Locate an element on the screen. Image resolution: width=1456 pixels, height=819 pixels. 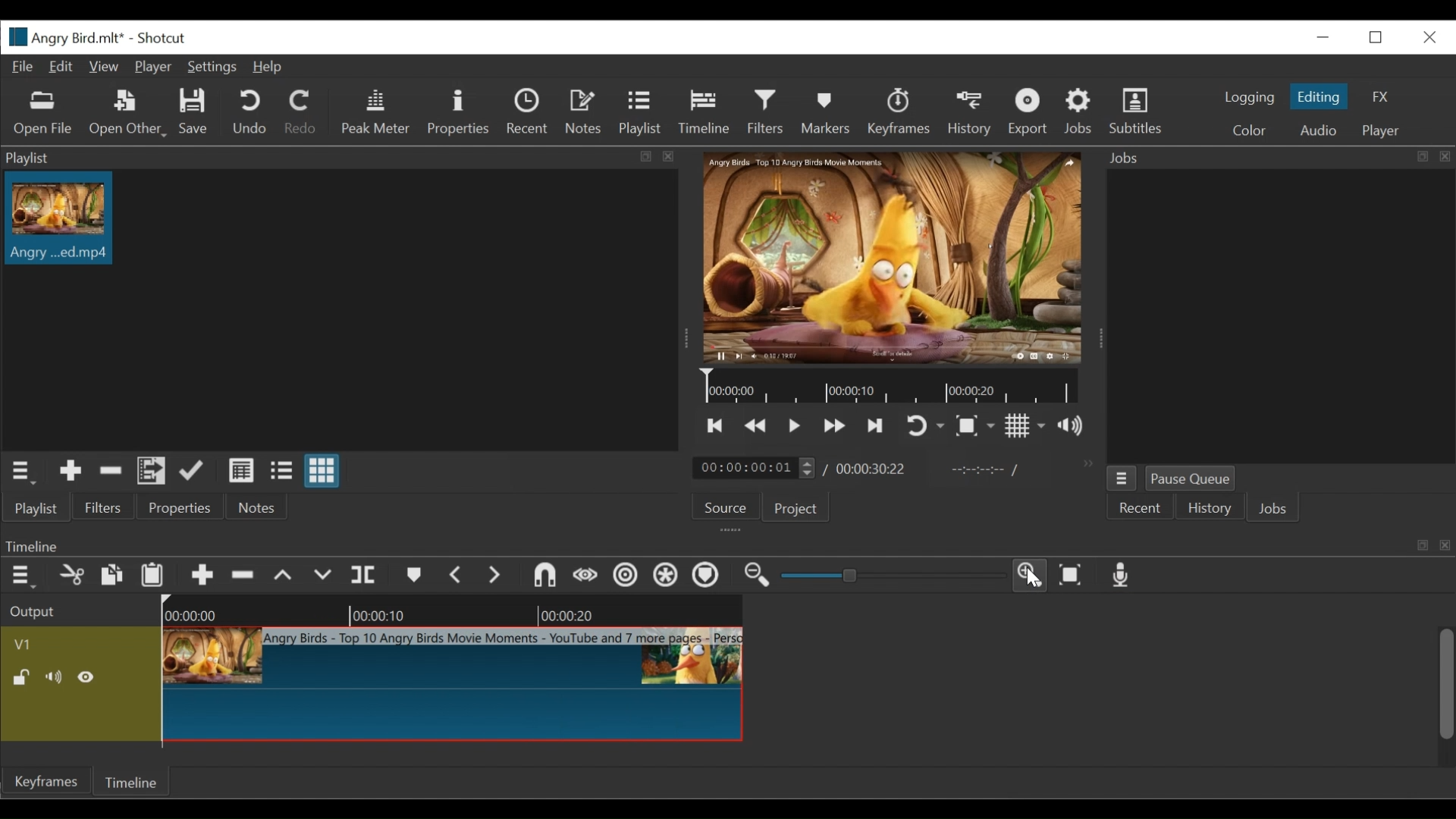
Filters is located at coordinates (102, 510).